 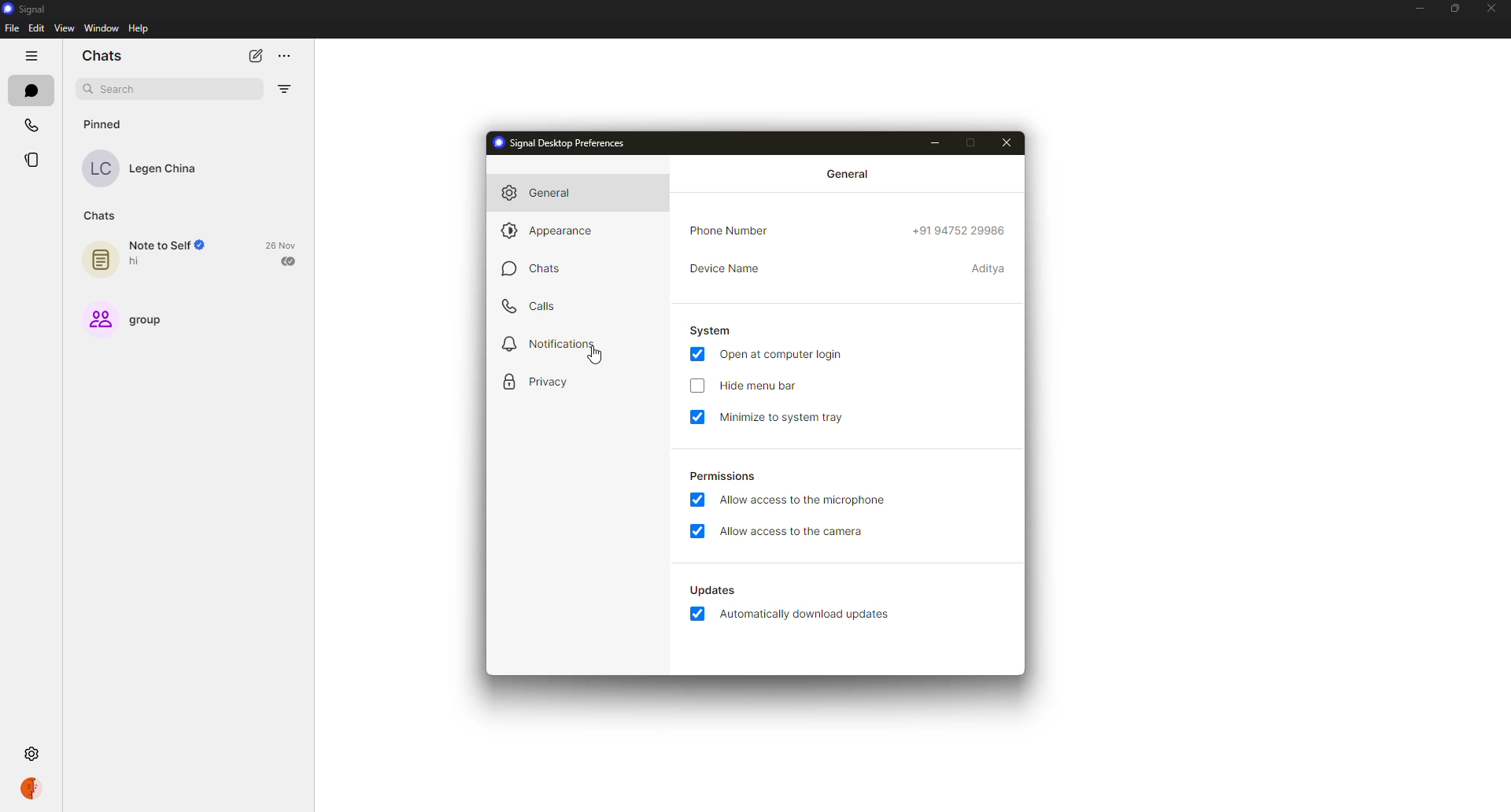 I want to click on close, so click(x=1491, y=6).